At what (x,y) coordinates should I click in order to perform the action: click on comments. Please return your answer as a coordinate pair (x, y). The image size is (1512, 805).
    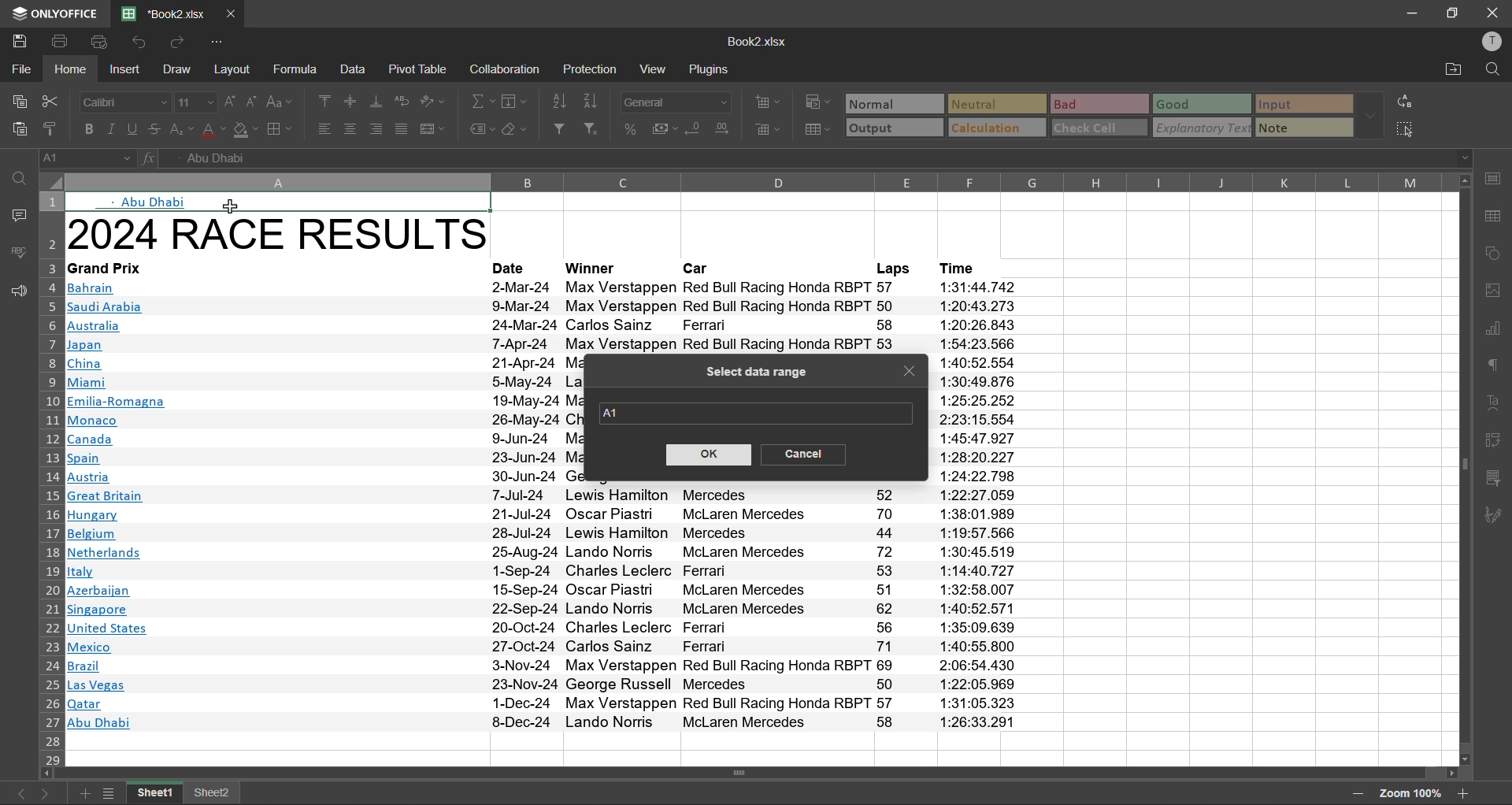
    Looking at the image, I should click on (20, 216).